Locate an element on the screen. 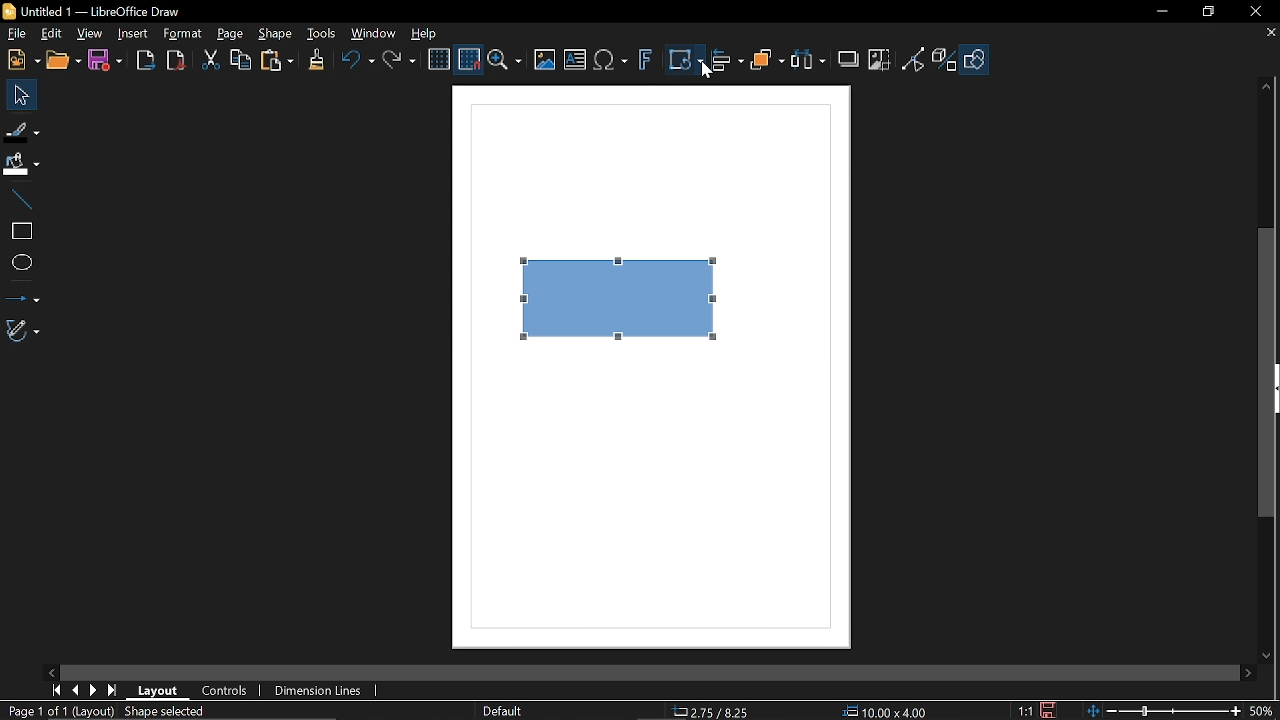 Image resolution: width=1280 pixels, height=720 pixels. Insert text is located at coordinates (576, 61).